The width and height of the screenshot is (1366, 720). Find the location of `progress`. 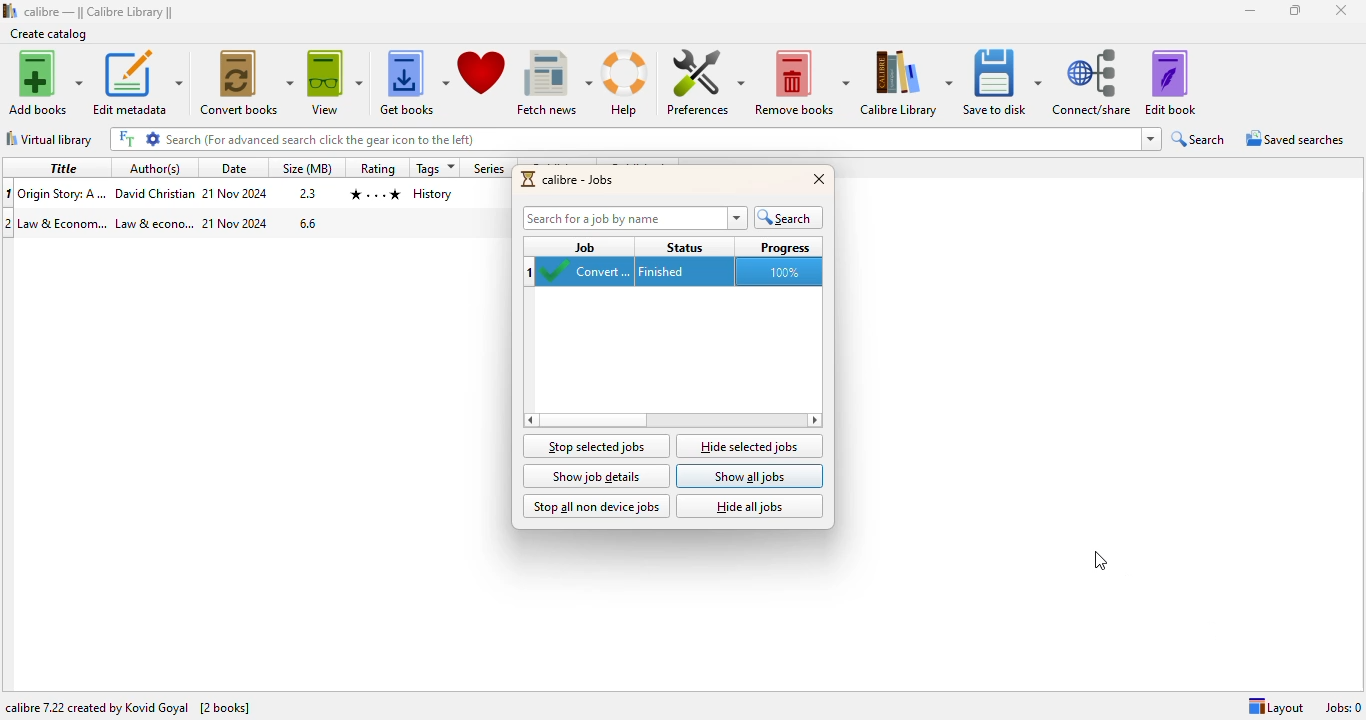

progress is located at coordinates (785, 247).